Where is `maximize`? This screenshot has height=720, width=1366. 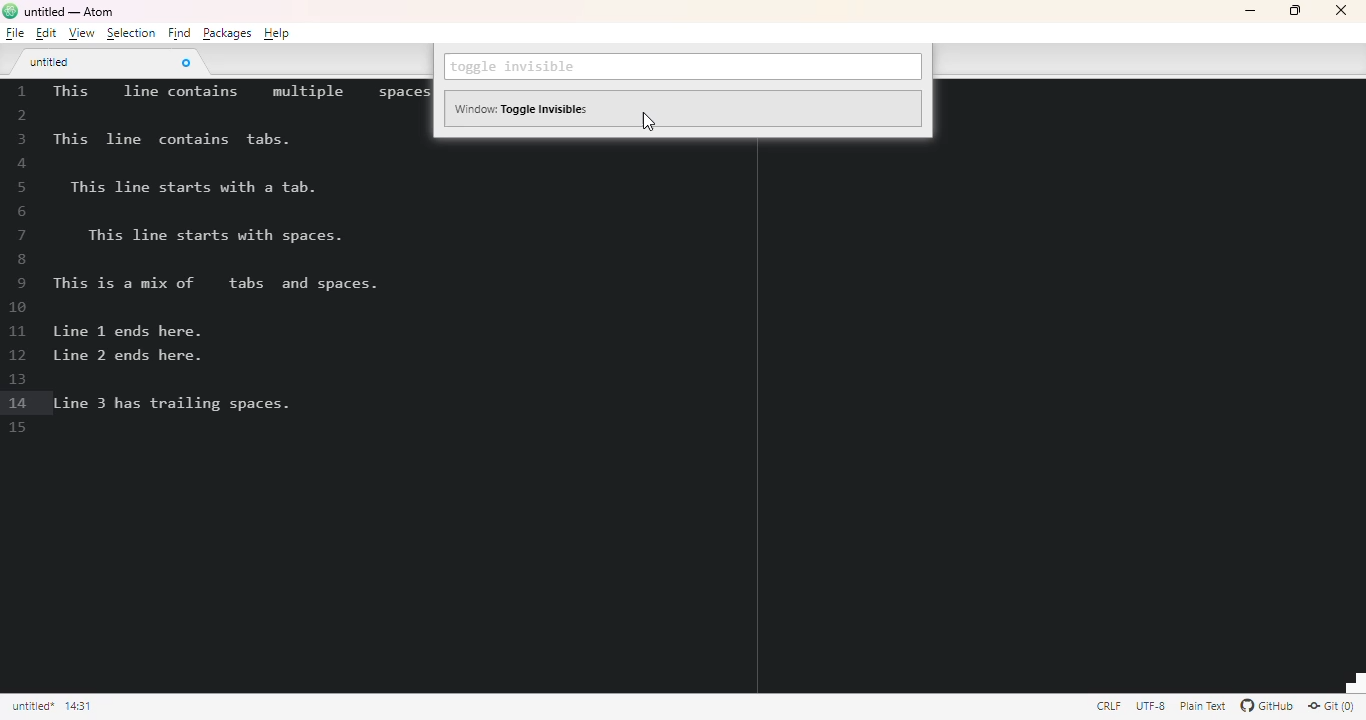
maximize is located at coordinates (1295, 10).